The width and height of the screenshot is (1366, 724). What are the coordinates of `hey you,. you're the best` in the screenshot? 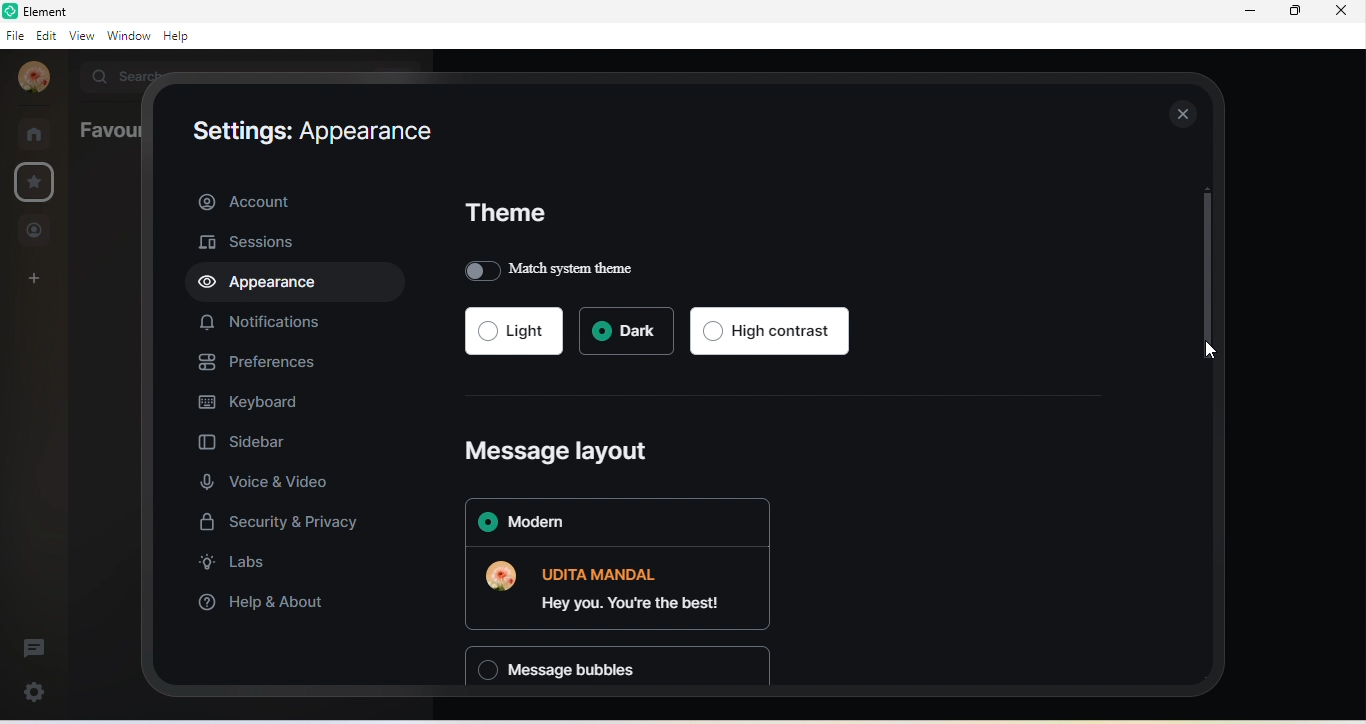 It's located at (638, 587).